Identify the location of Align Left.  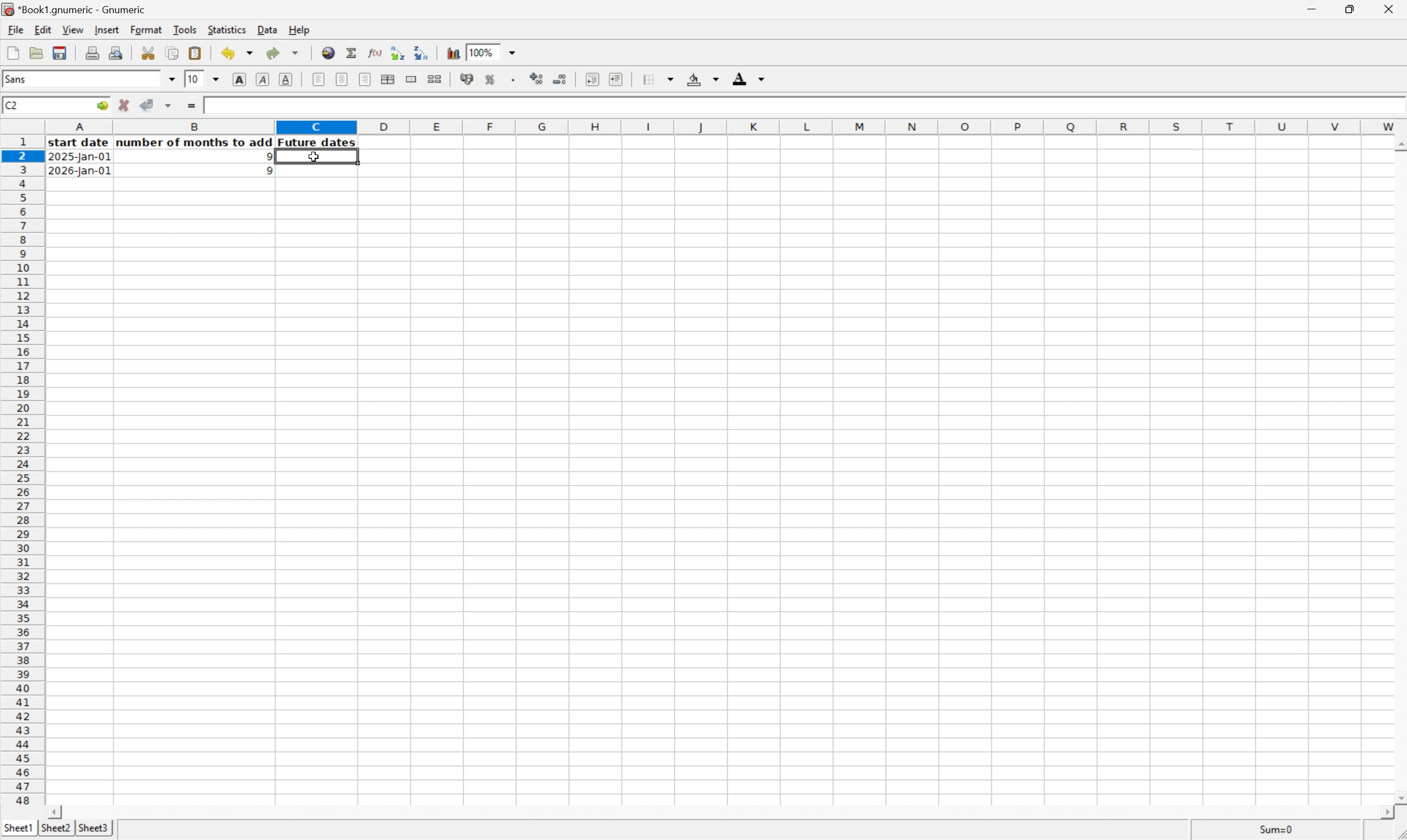
(318, 79).